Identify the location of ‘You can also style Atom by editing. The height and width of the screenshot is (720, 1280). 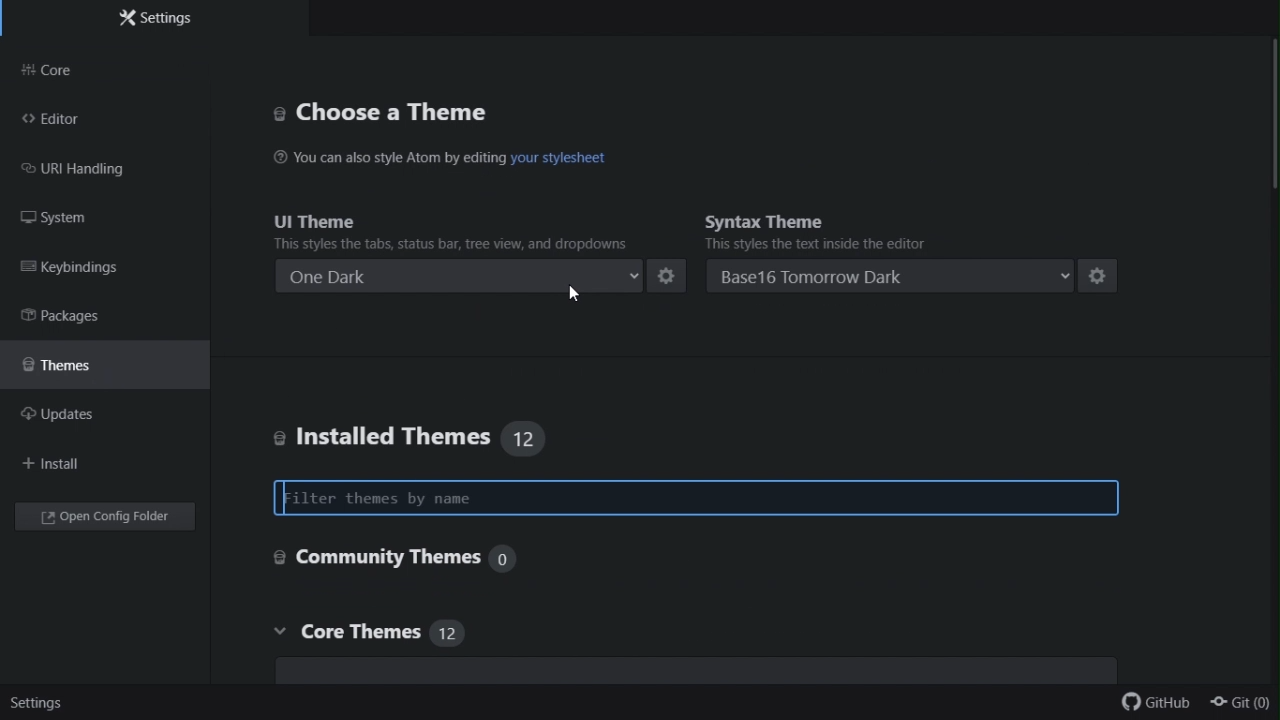
(388, 156).